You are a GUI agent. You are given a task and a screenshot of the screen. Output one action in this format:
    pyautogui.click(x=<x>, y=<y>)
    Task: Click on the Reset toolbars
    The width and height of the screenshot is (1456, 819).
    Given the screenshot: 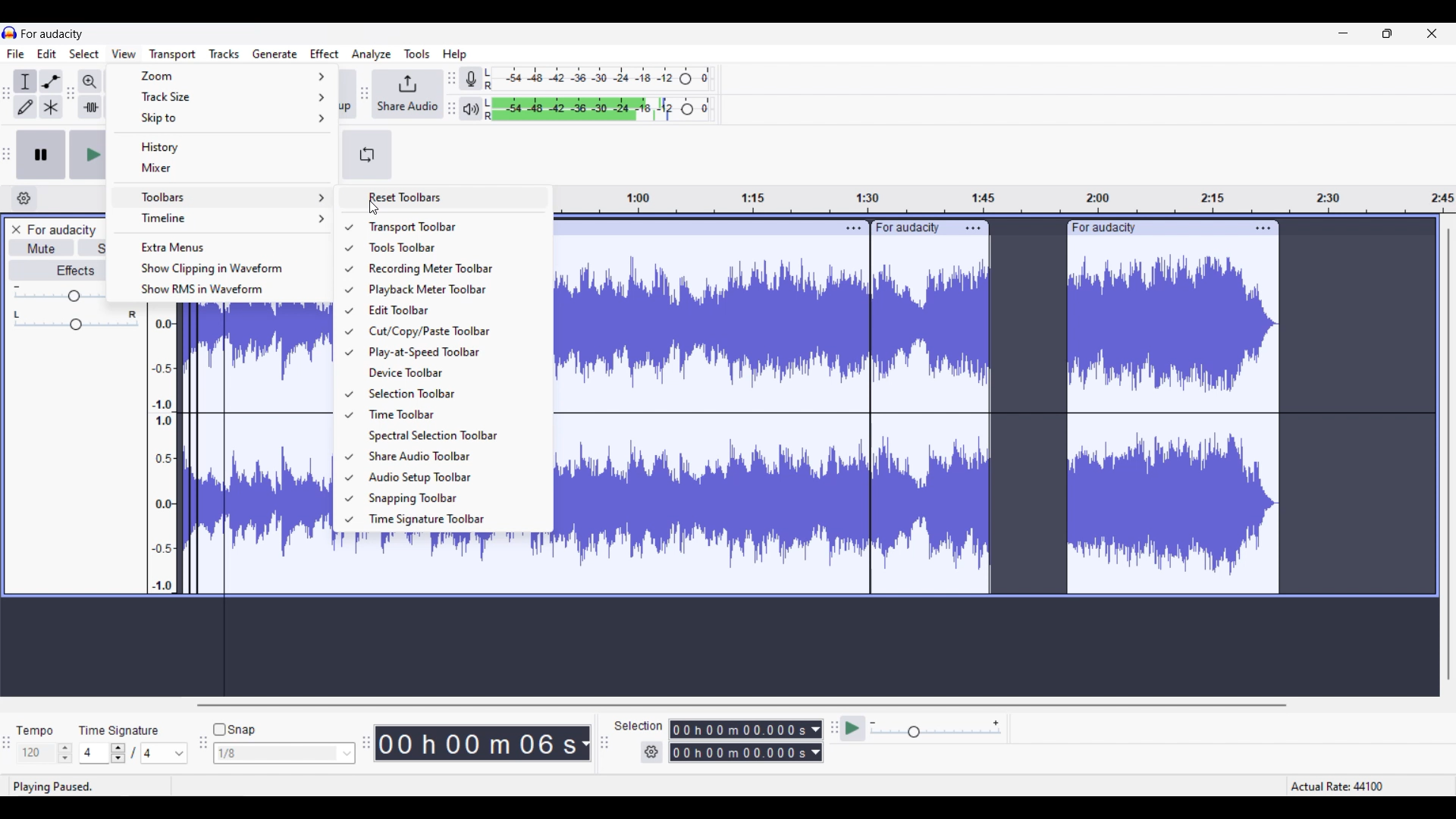 What is the action you would take?
    pyautogui.click(x=444, y=197)
    